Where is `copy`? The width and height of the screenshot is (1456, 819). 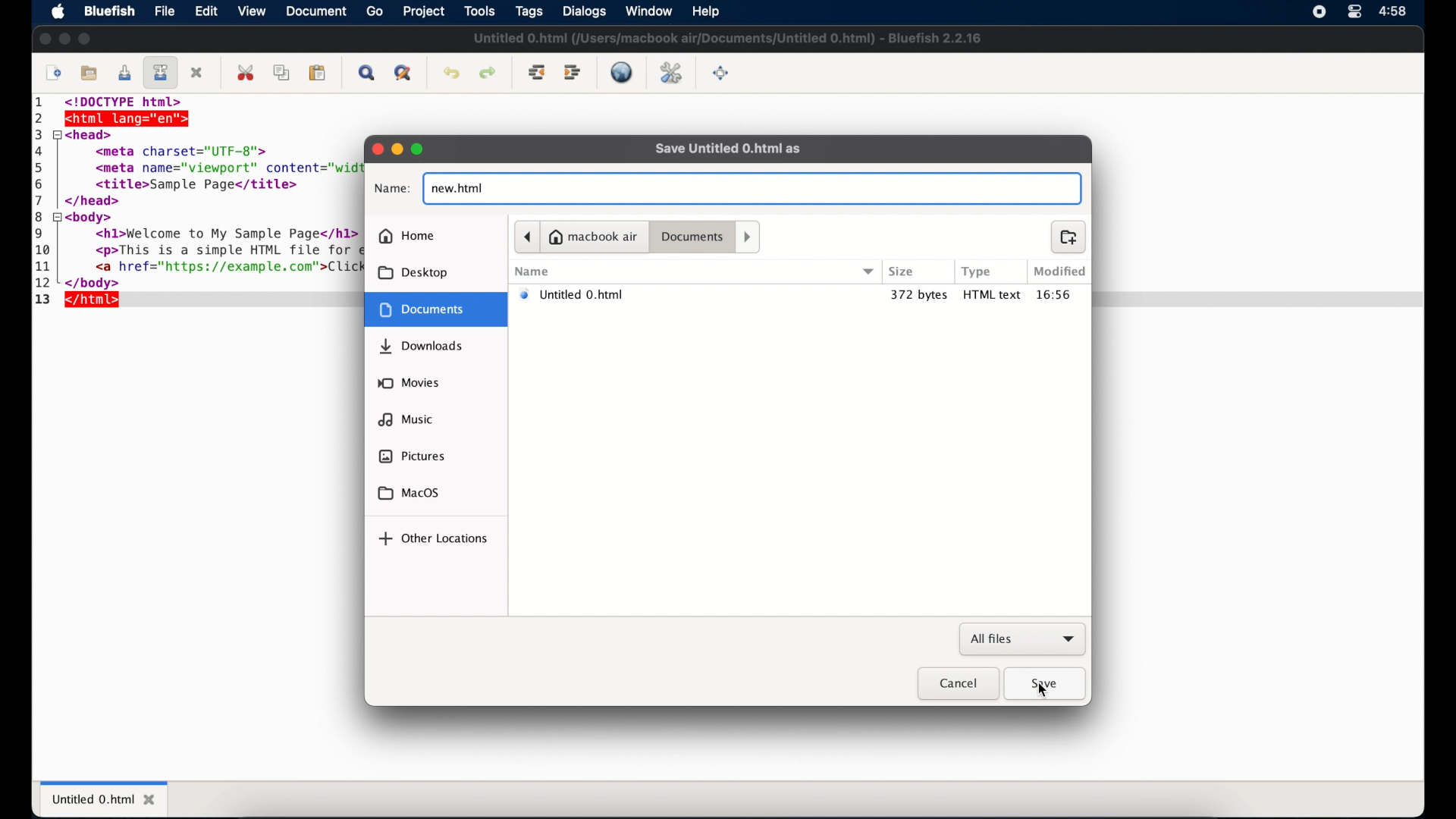 copy is located at coordinates (284, 73).